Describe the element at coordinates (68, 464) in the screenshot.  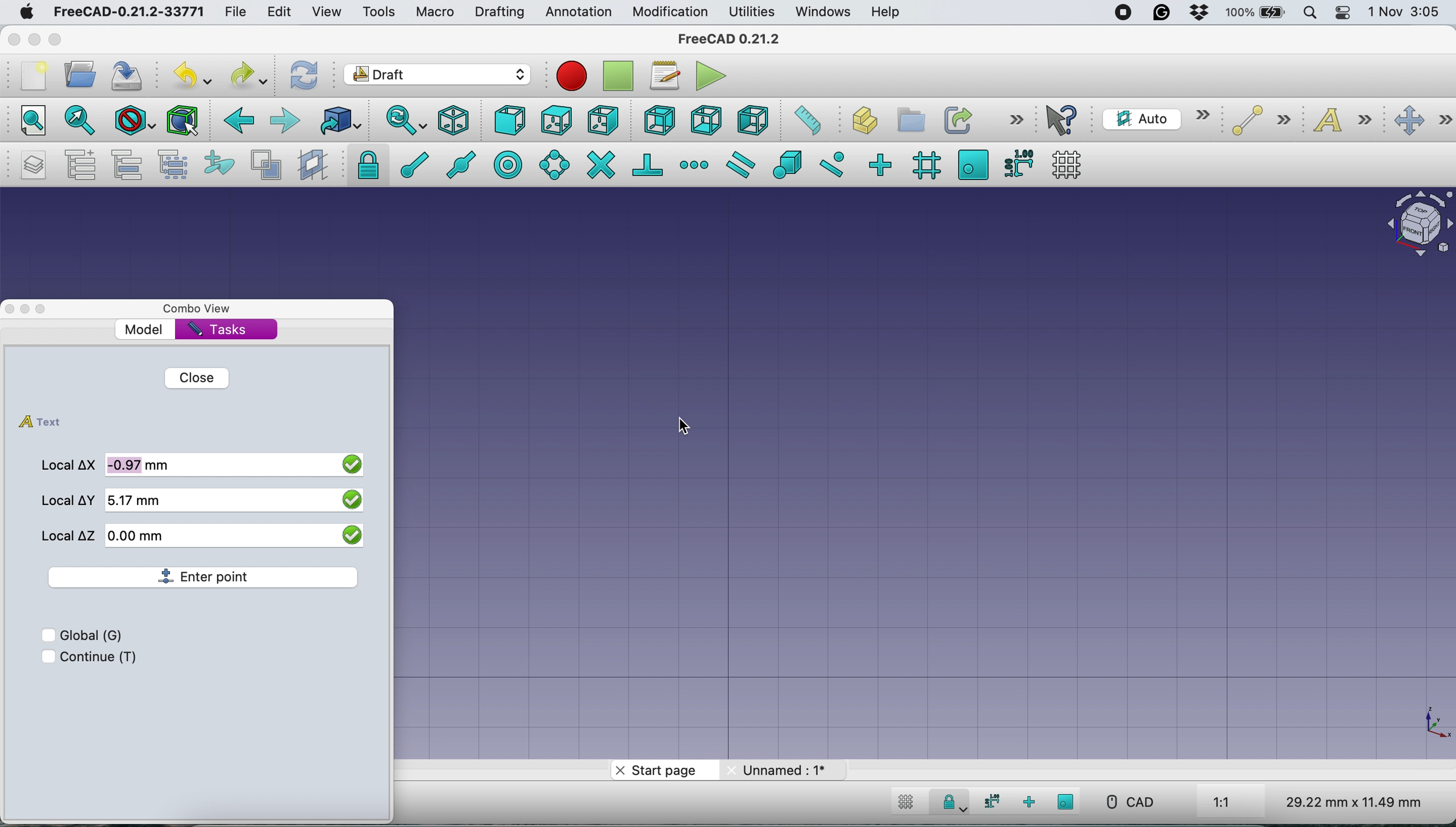
I see `local` at that location.